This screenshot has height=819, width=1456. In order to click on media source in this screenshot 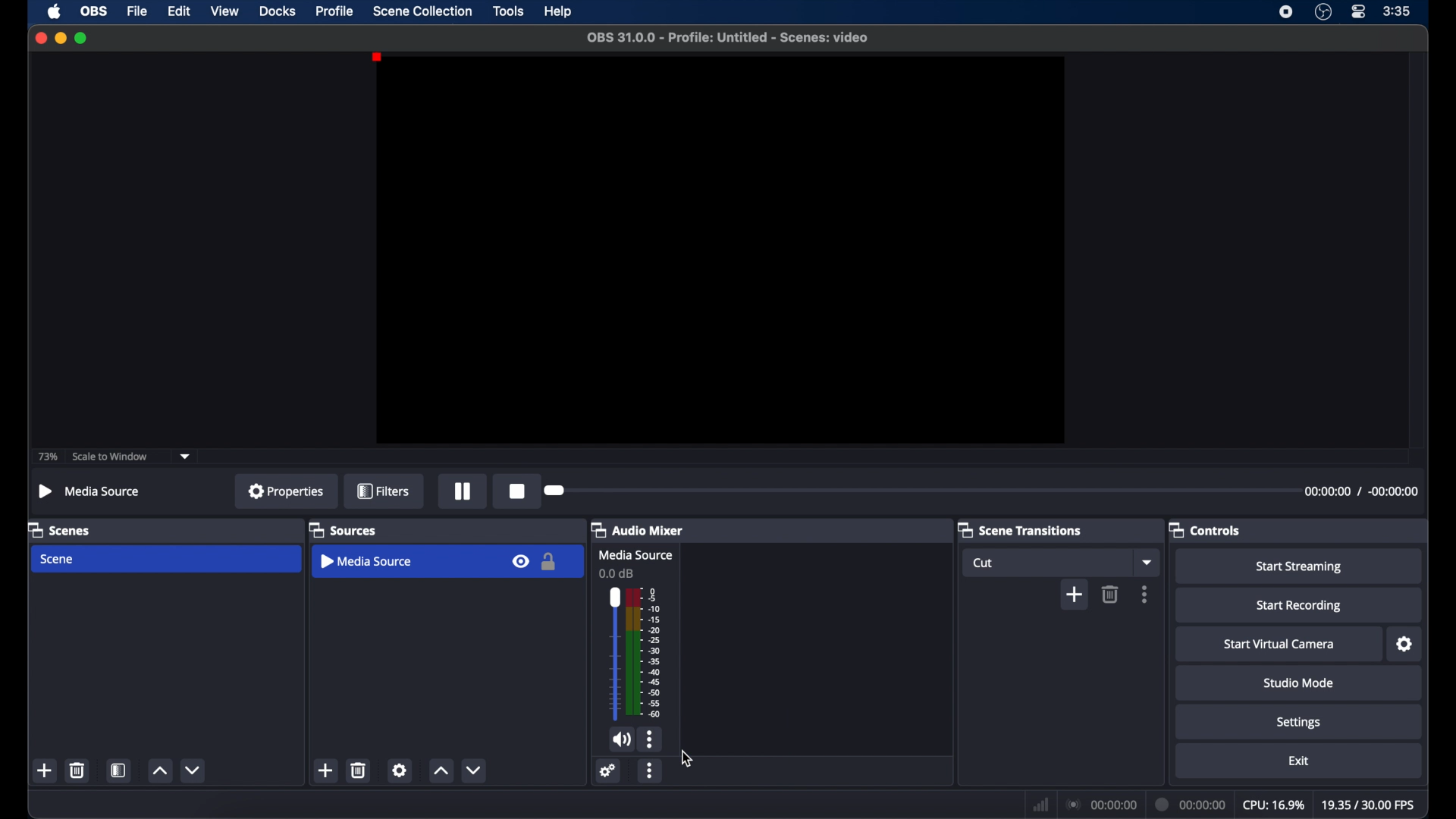, I will do `click(368, 560)`.